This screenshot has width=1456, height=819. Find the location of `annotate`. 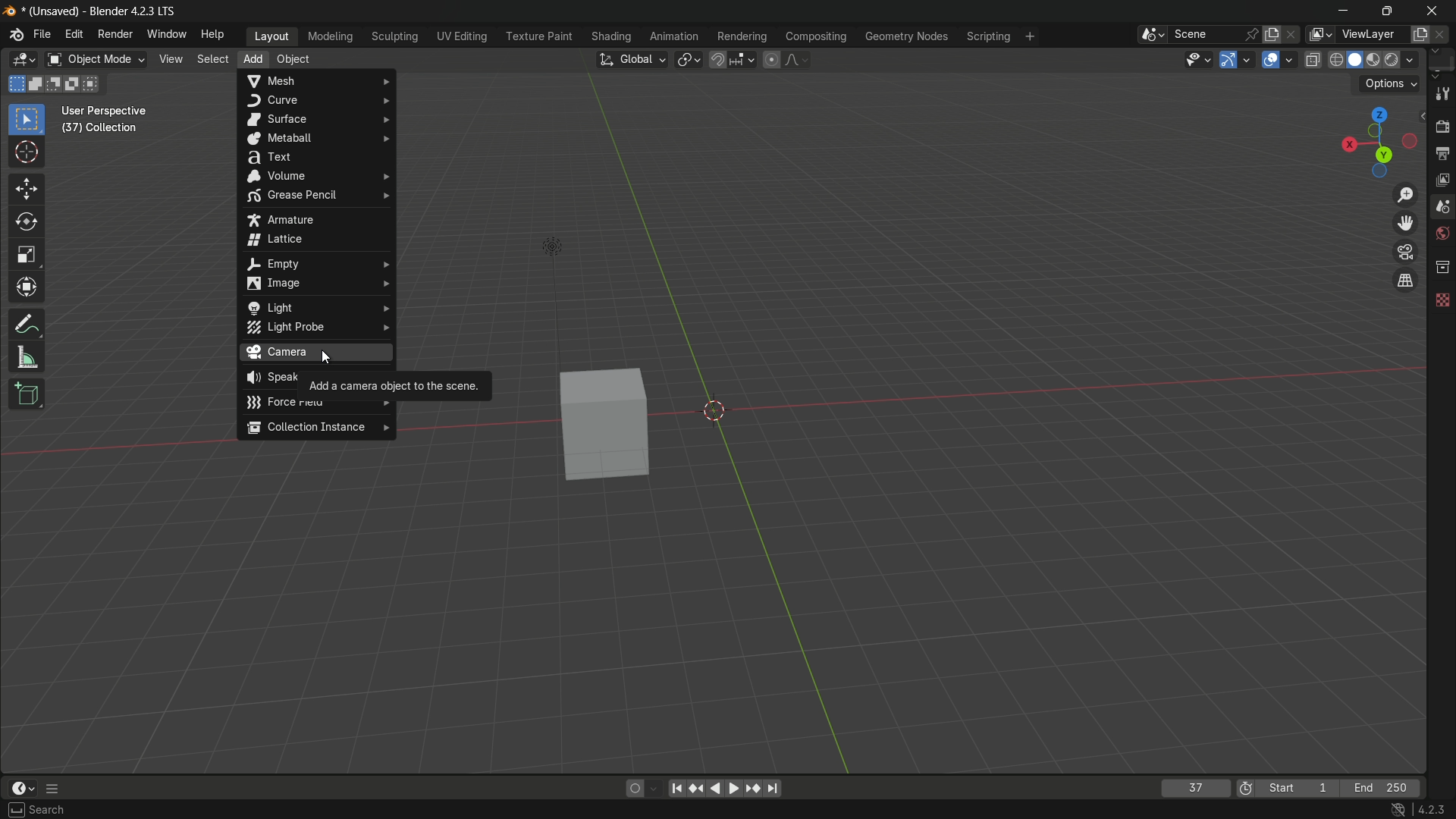

annotate is located at coordinates (27, 325).